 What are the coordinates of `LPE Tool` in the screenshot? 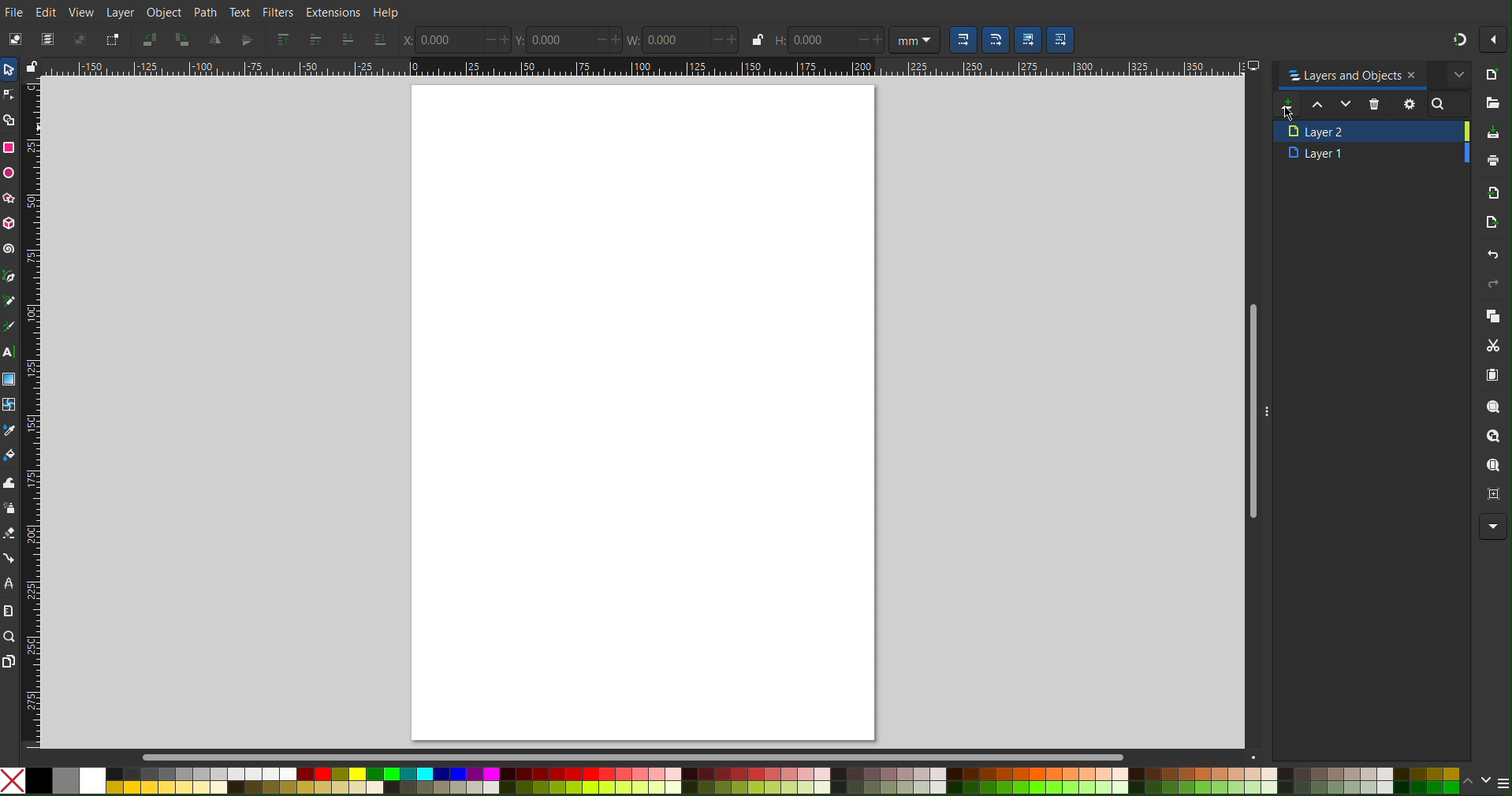 It's located at (11, 584).